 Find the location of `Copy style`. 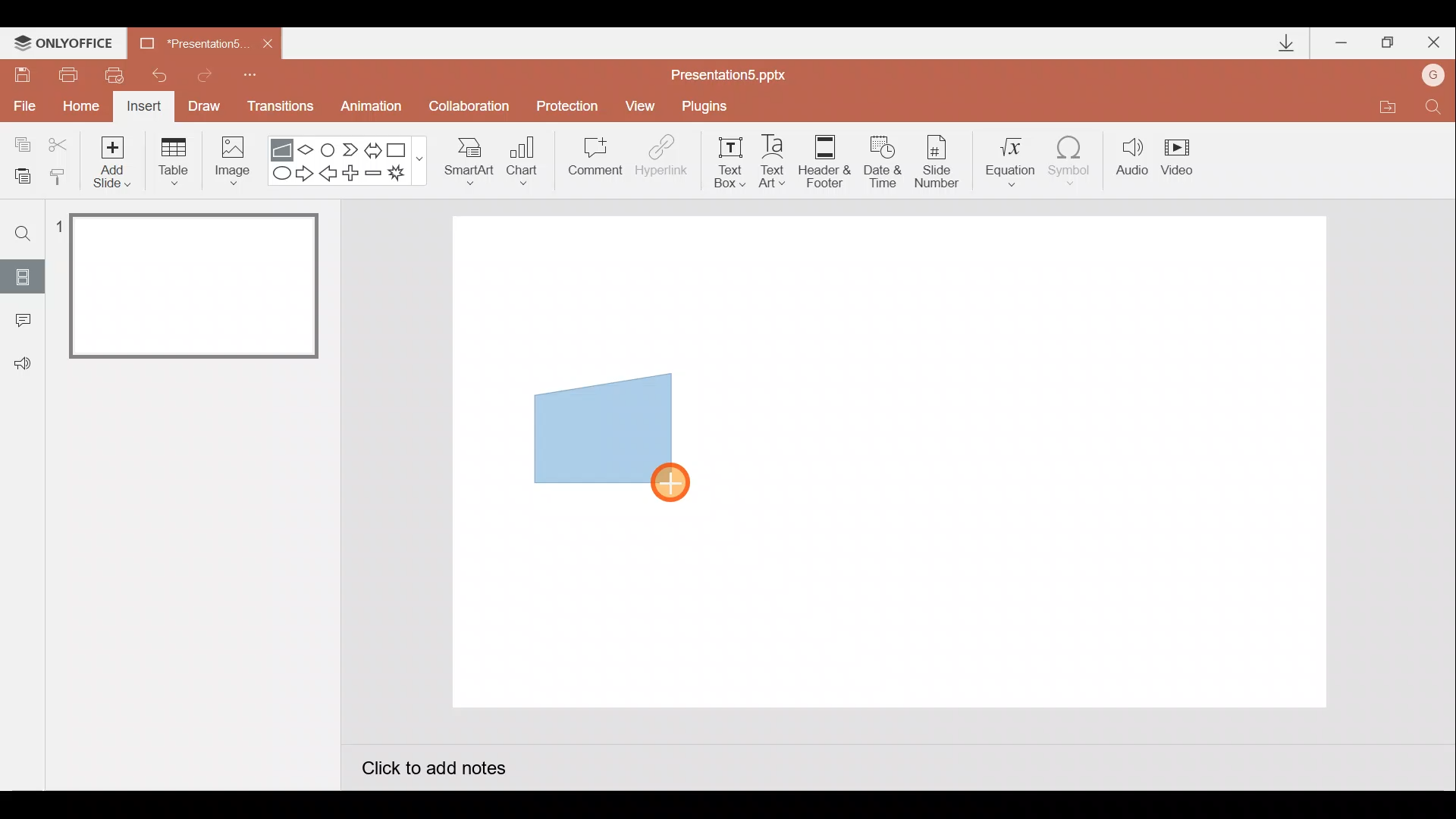

Copy style is located at coordinates (59, 174).